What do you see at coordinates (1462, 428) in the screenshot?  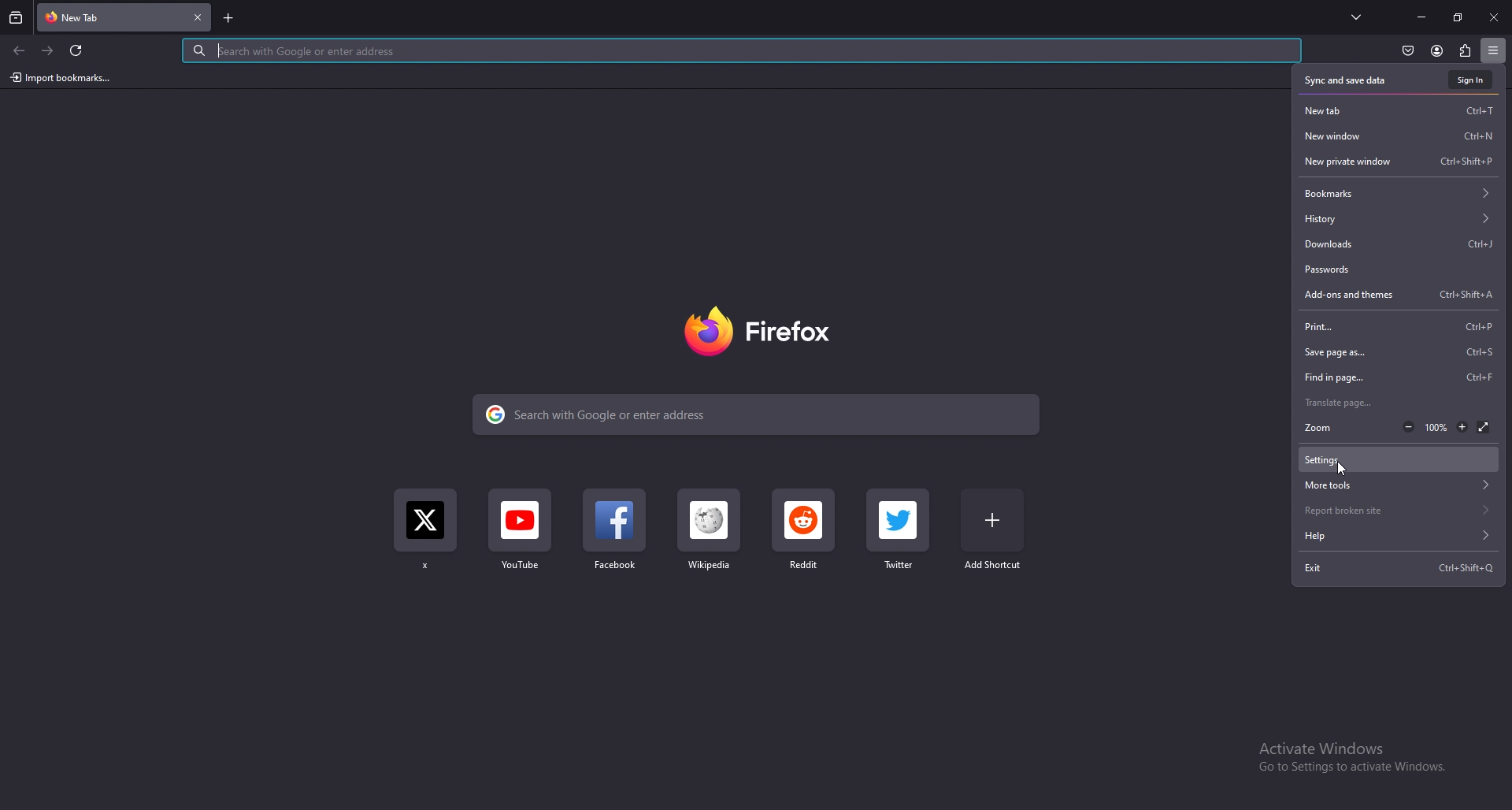 I see `zoom in` at bounding box center [1462, 428].